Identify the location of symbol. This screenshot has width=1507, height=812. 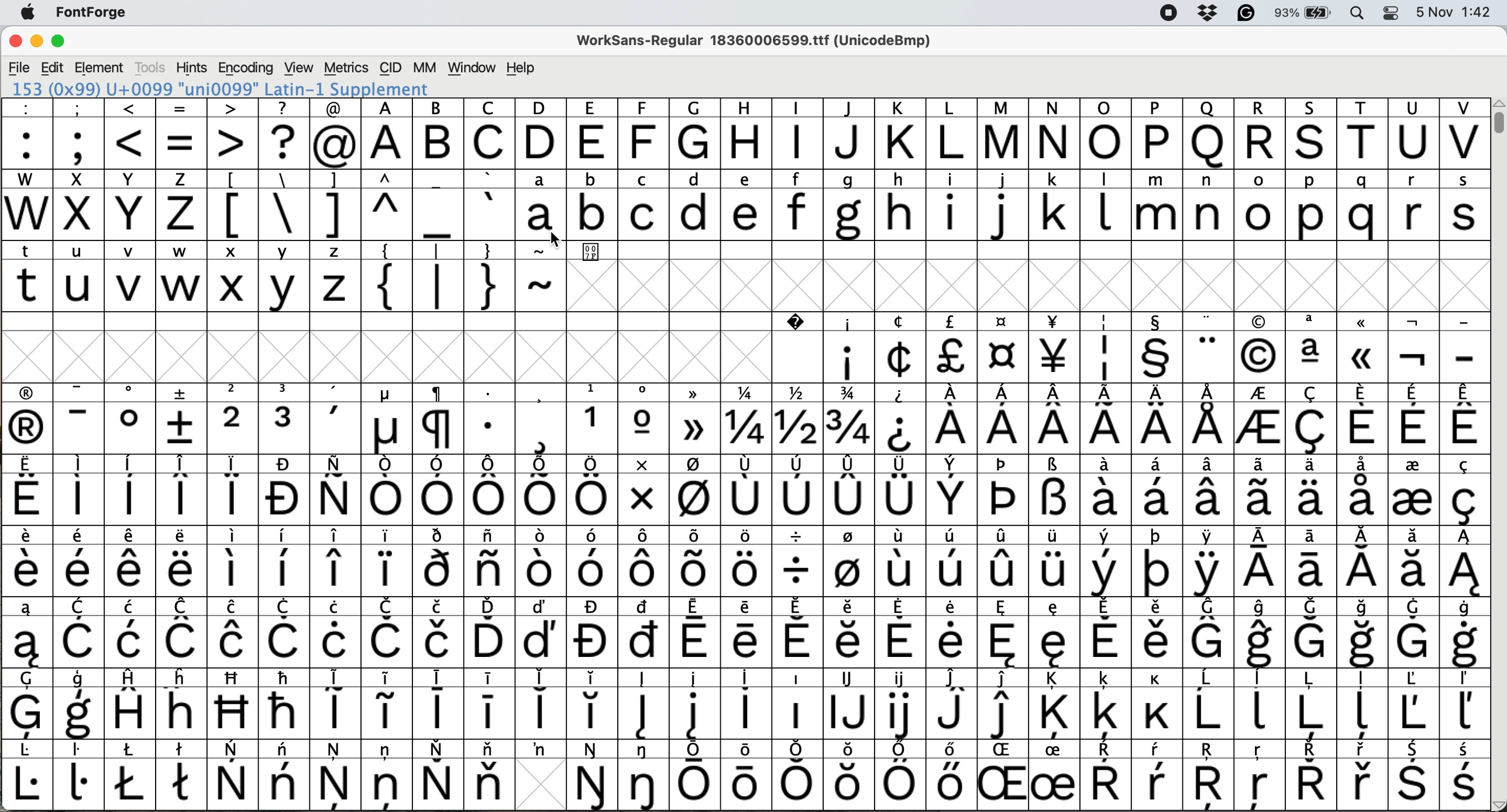
(1261, 702).